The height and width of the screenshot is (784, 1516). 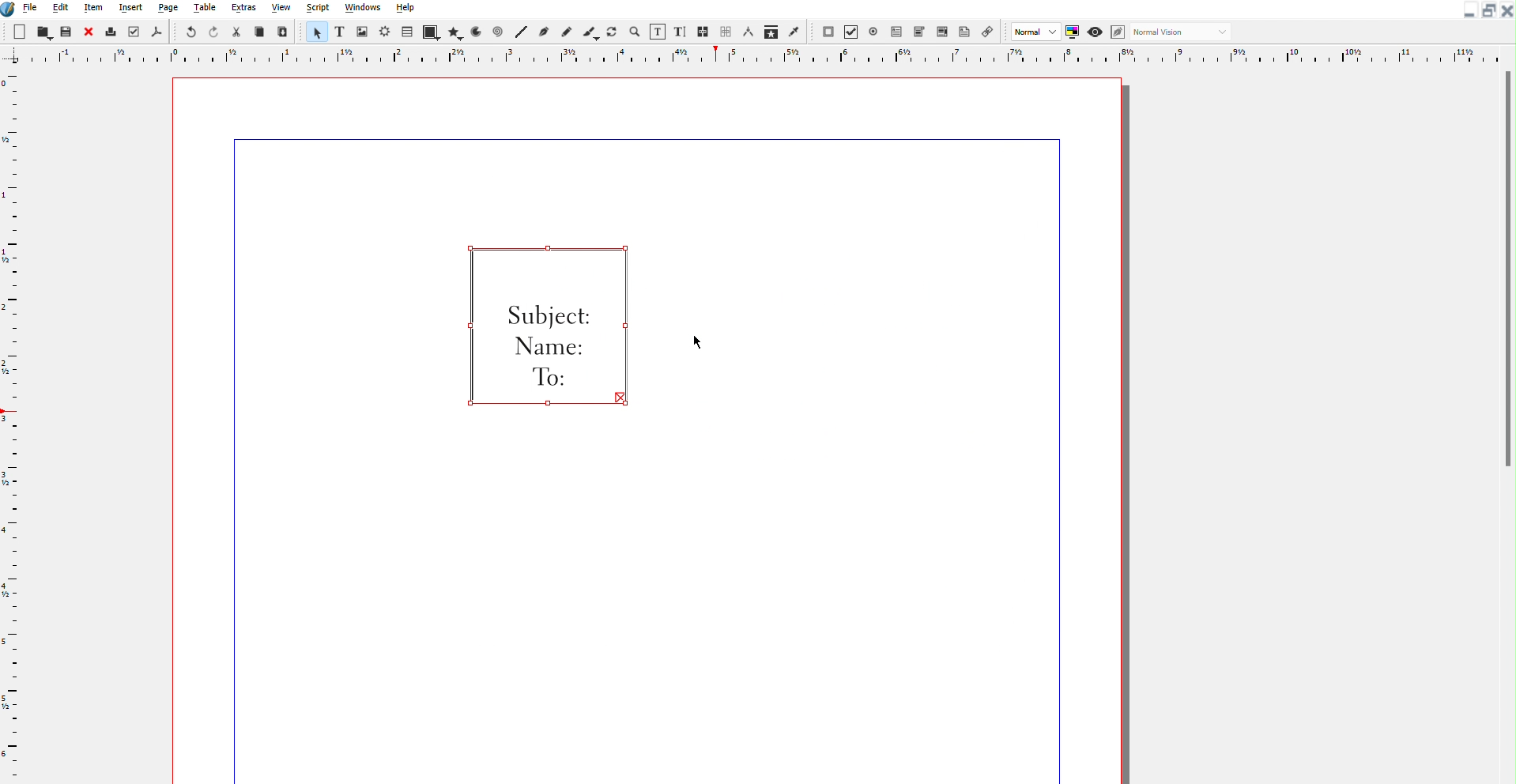 What do you see at coordinates (590, 31) in the screenshot?
I see `Brush Line` at bounding box center [590, 31].